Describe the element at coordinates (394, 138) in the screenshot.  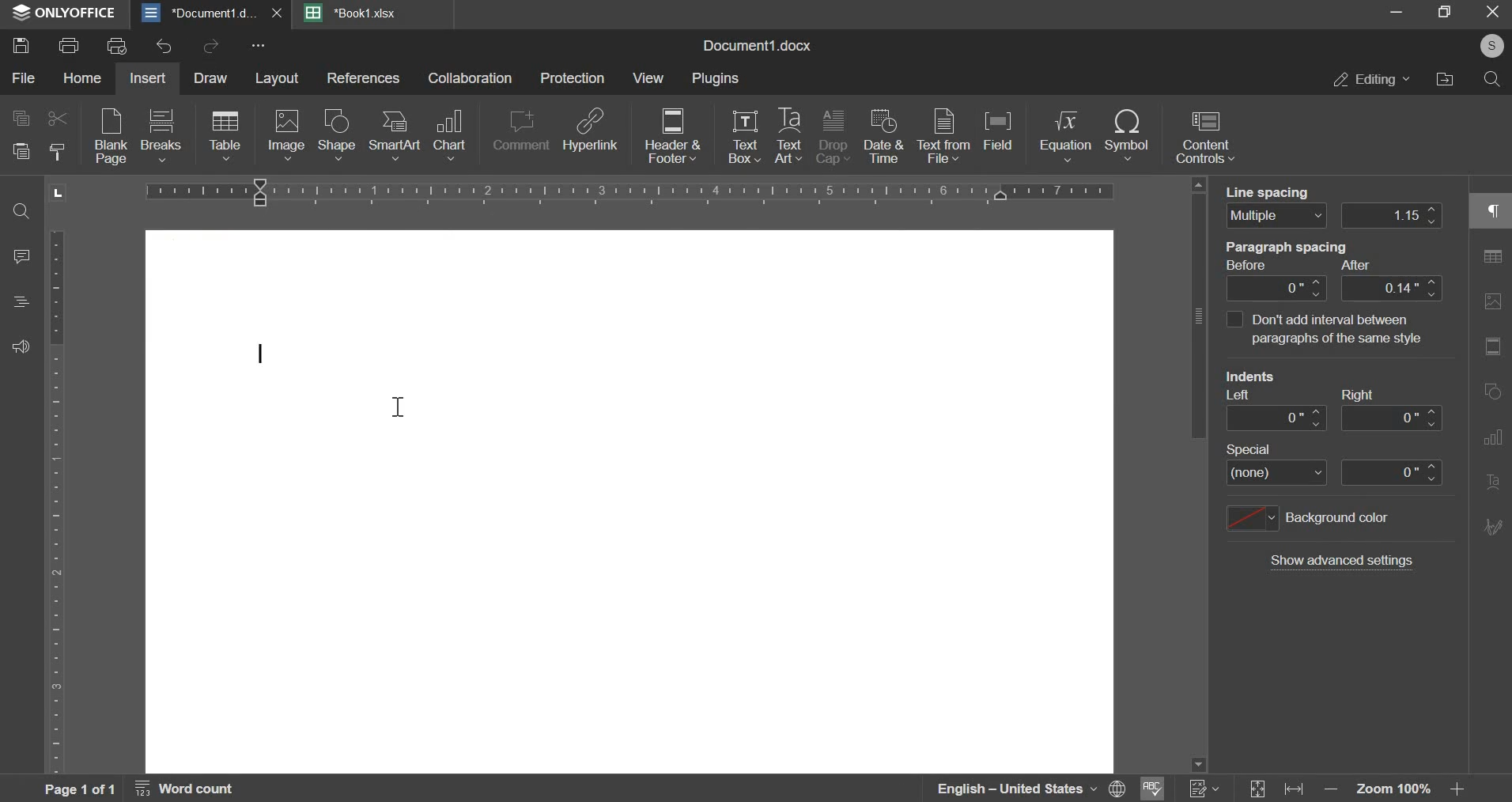
I see `smart art` at that location.